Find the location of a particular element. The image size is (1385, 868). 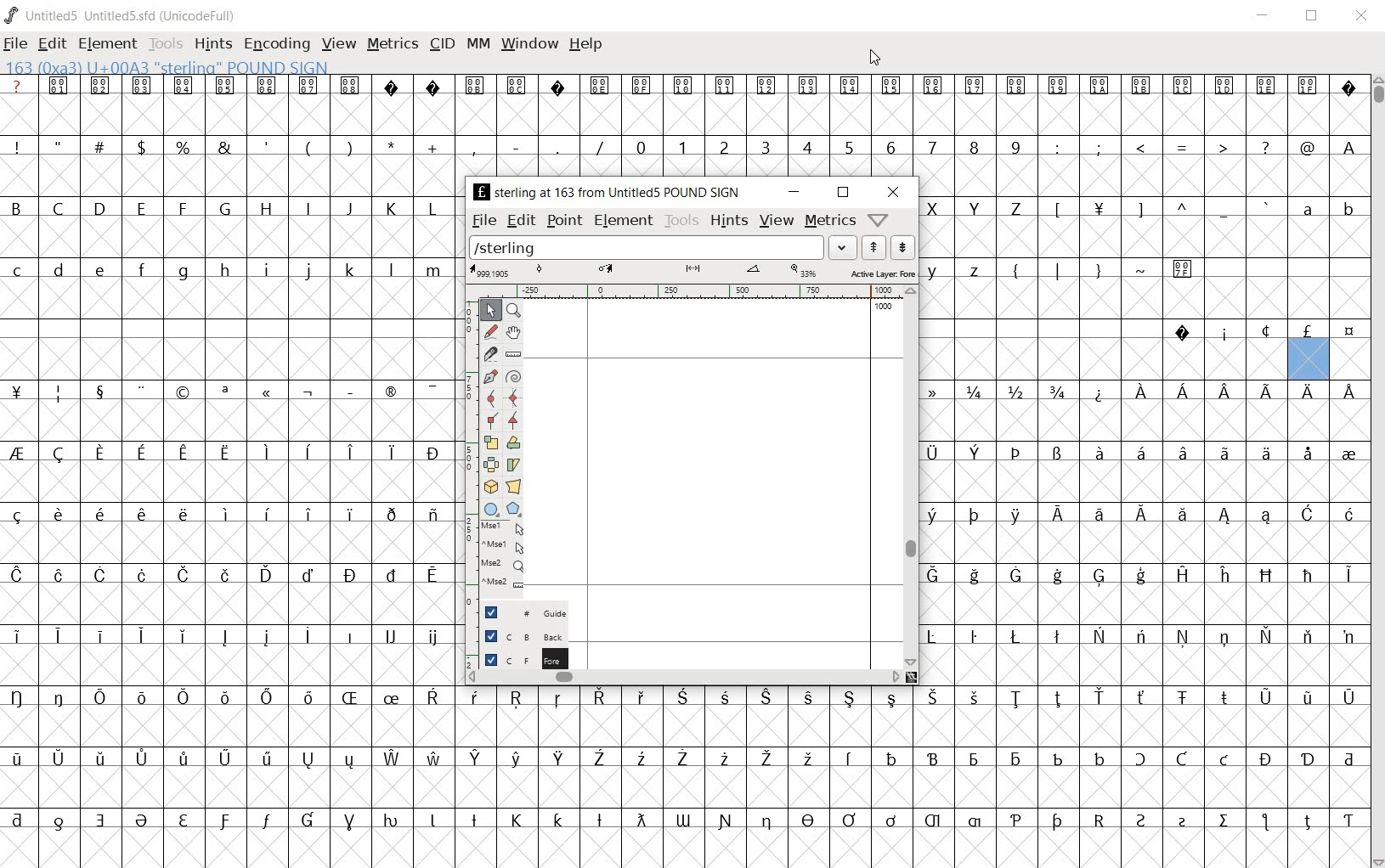

z is located at coordinates (975, 268).